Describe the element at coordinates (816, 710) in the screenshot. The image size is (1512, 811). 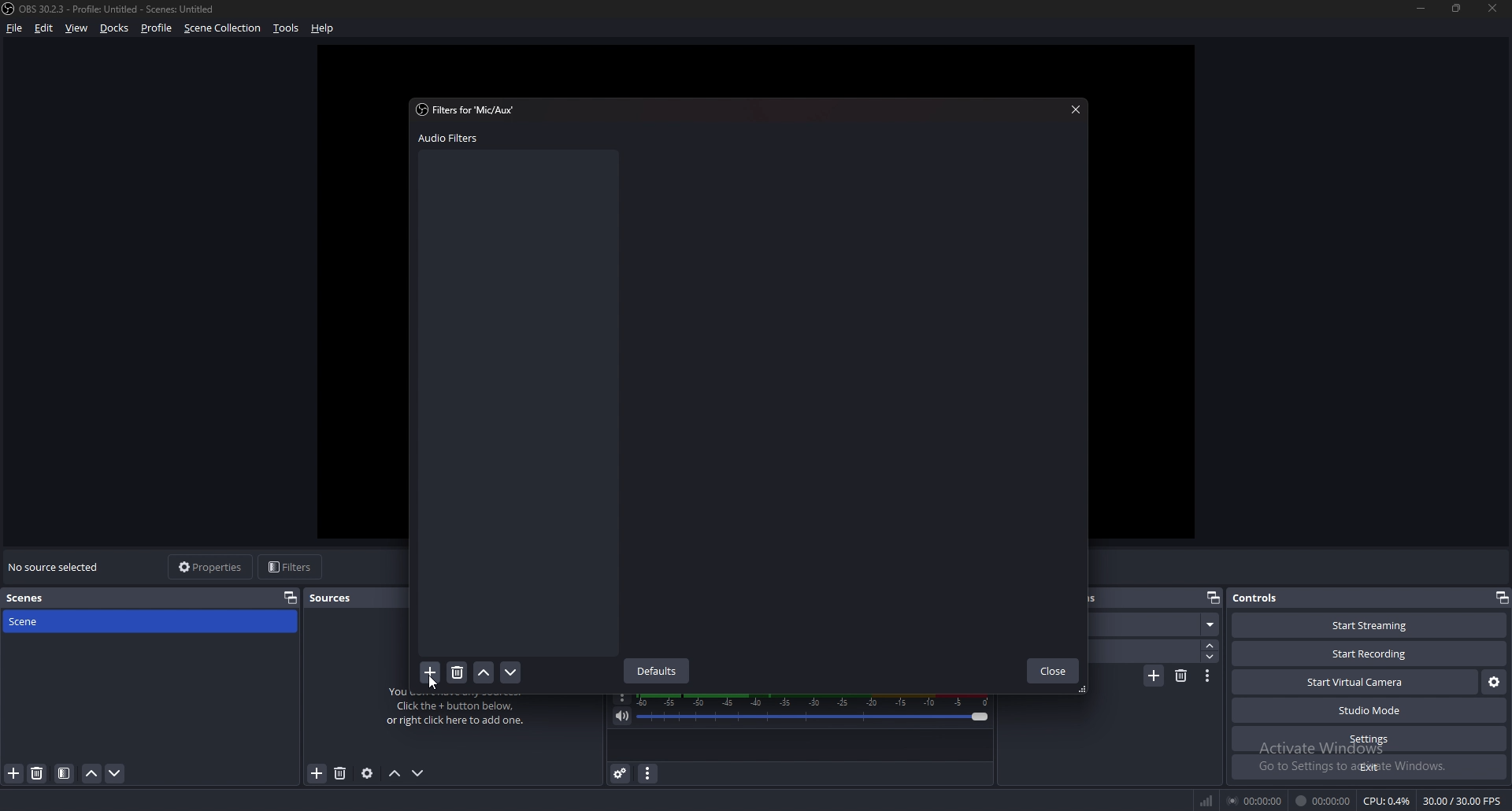
I see `mic/aux volume adjust` at that location.